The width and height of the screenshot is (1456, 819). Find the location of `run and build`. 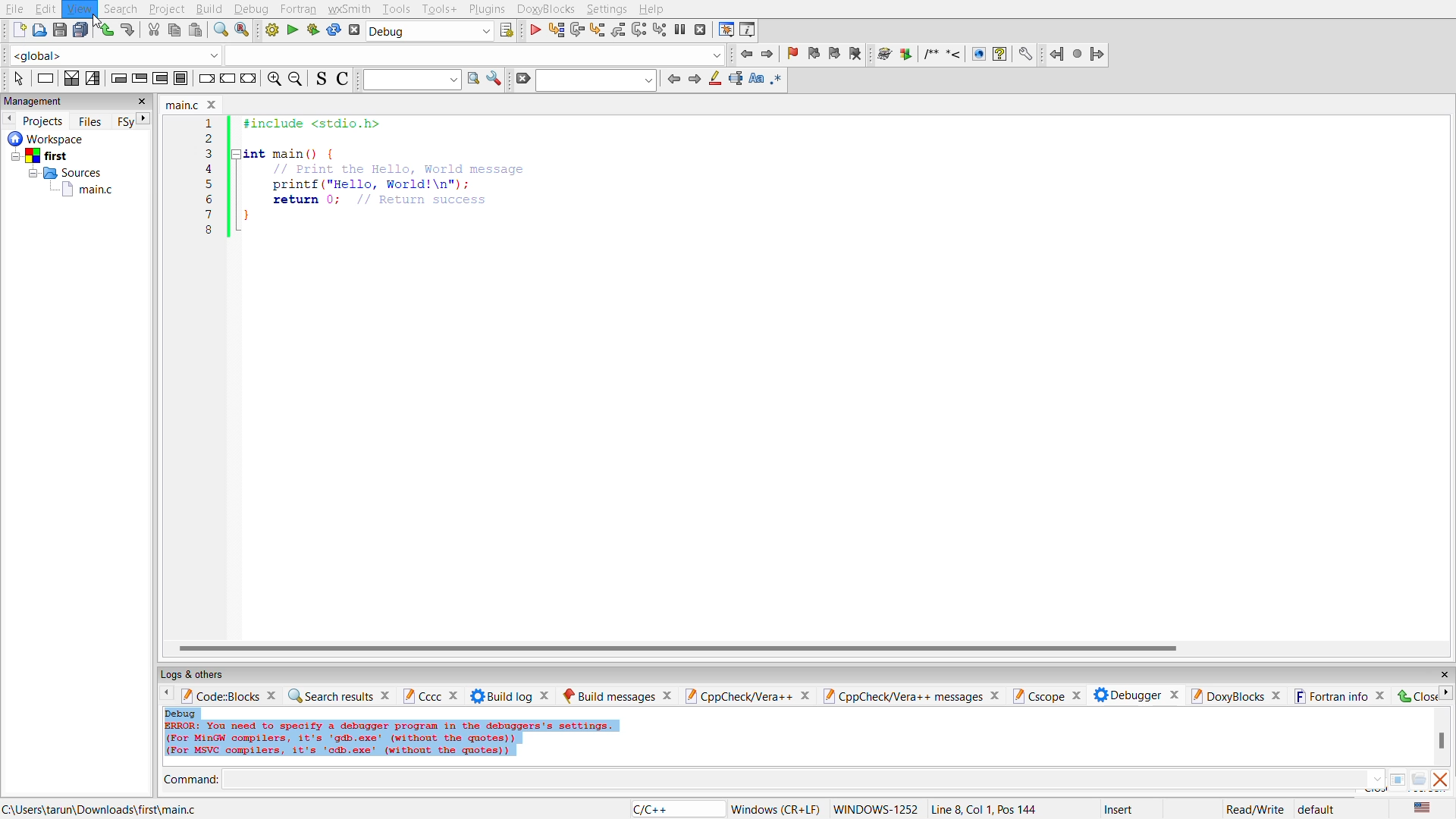

run and build is located at coordinates (312, 32).